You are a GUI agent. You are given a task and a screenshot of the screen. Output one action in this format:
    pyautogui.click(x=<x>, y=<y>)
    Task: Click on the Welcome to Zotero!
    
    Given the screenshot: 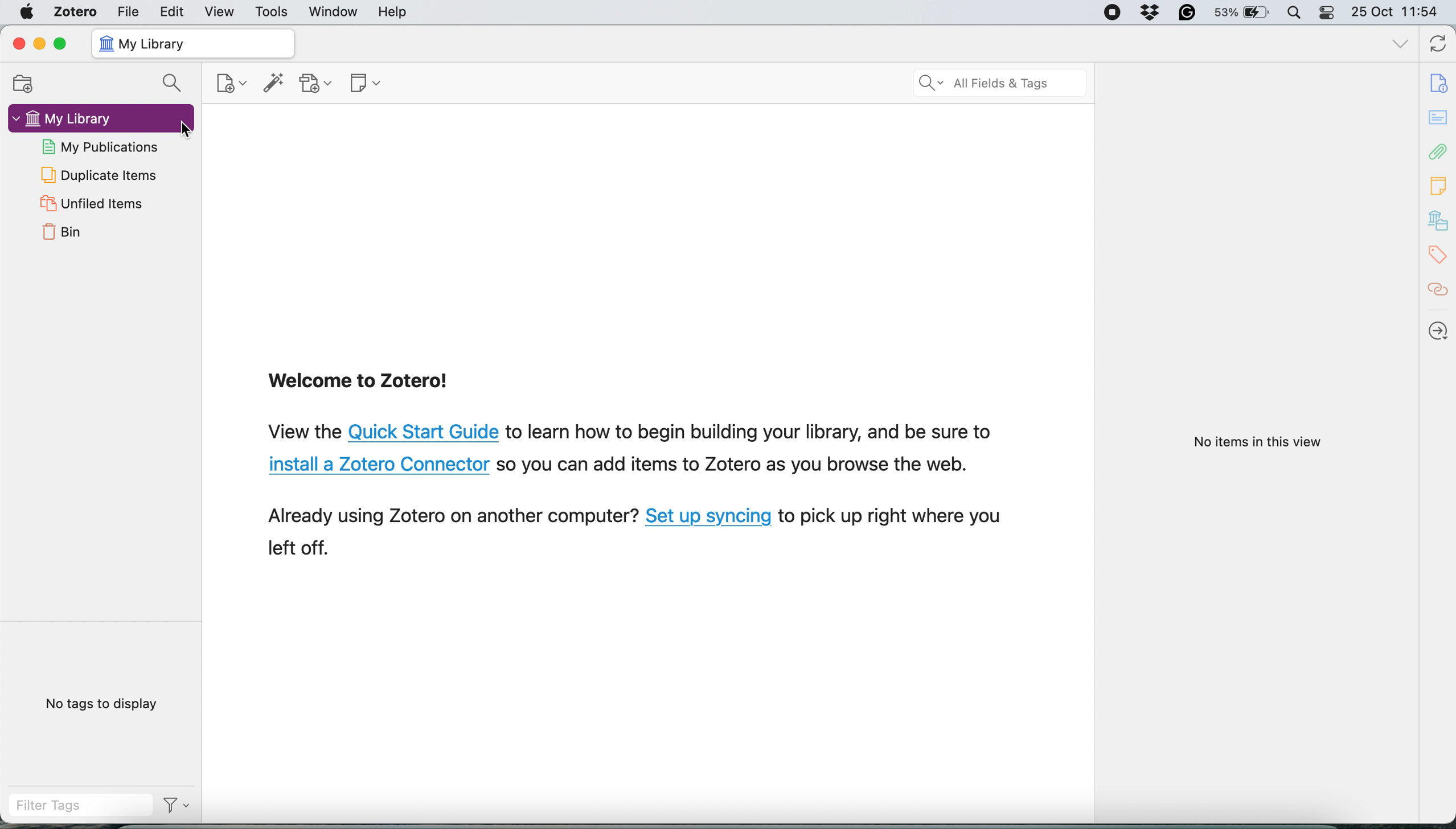 What is the action you would take?
    pyautogui.click(x=360, y=384)
    